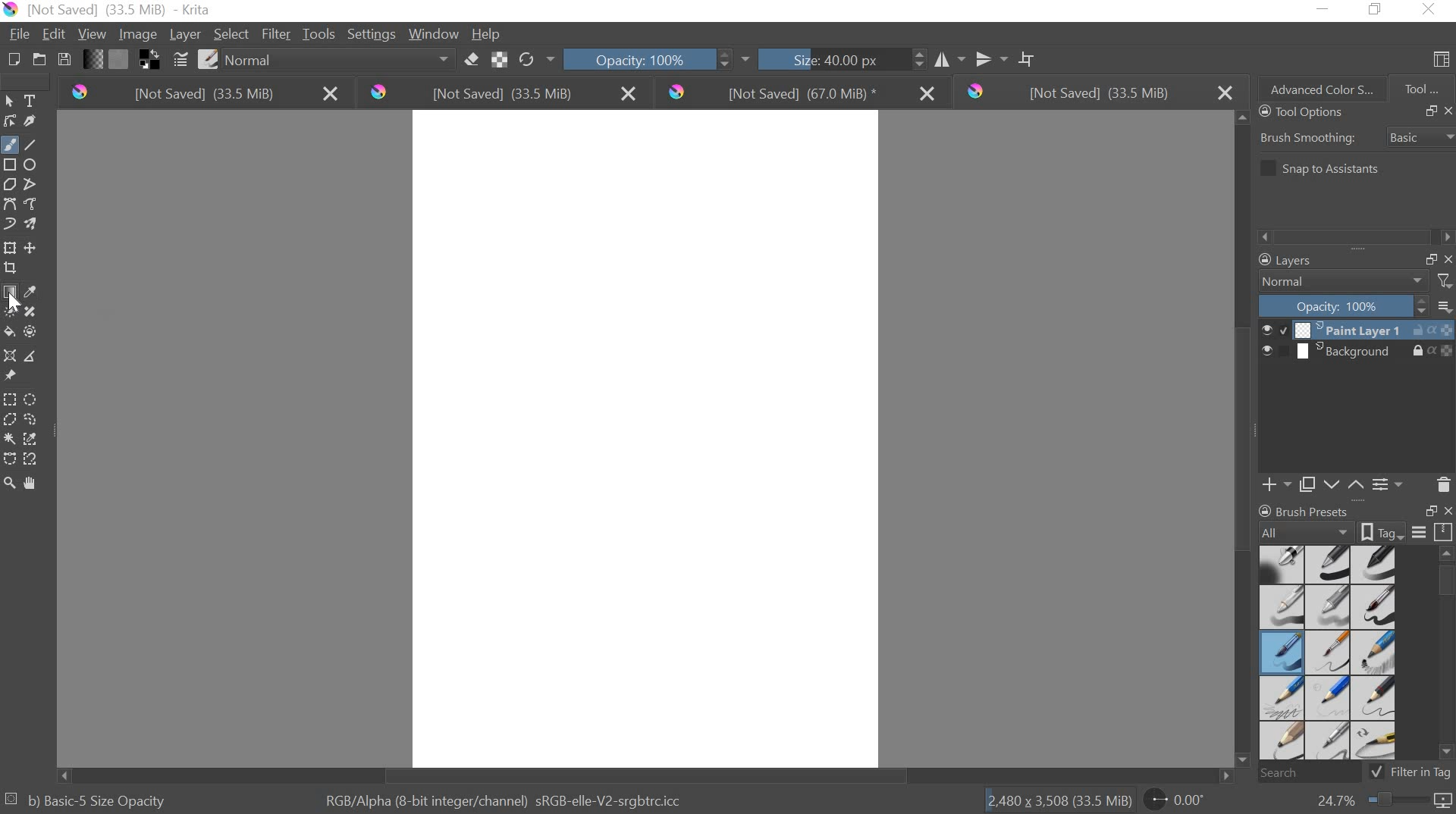 This screenshot has height=814, width=1456. I want to click on RESTORE DOWN, so click(1430, 111).